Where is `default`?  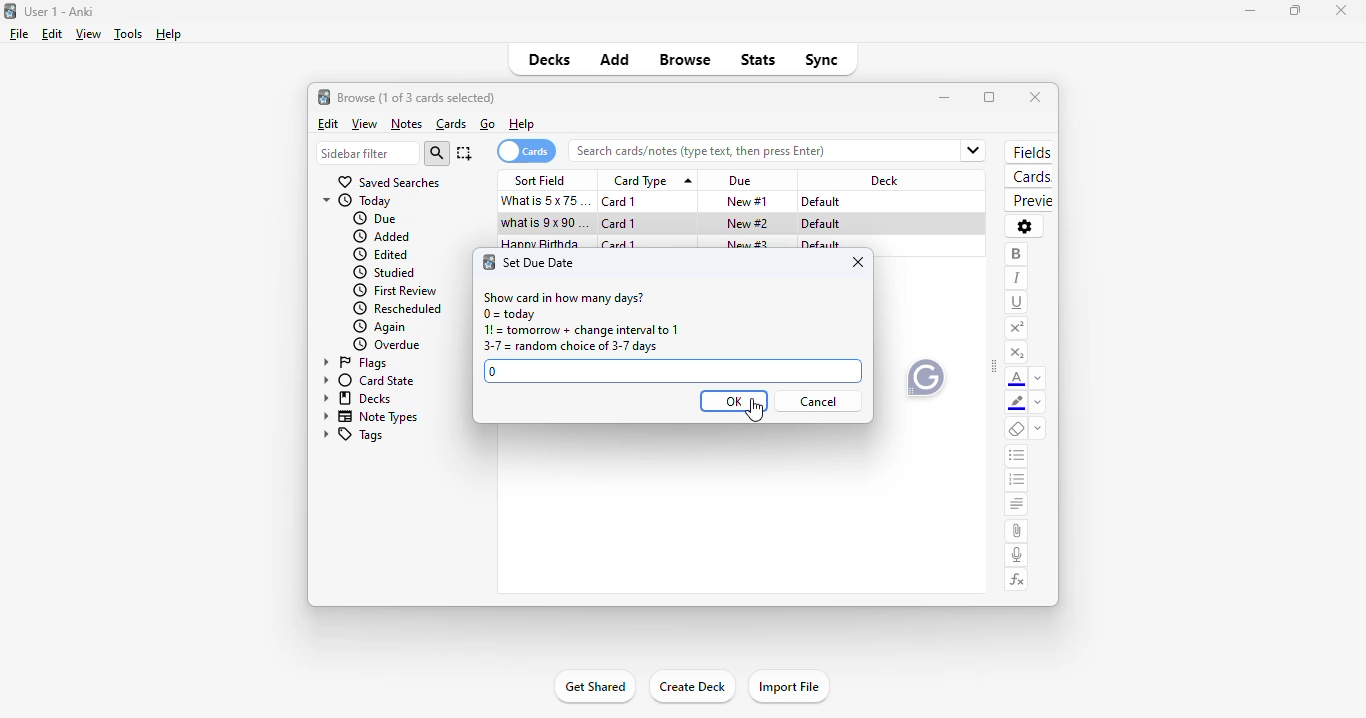
default is located at coordinates (820, 223).